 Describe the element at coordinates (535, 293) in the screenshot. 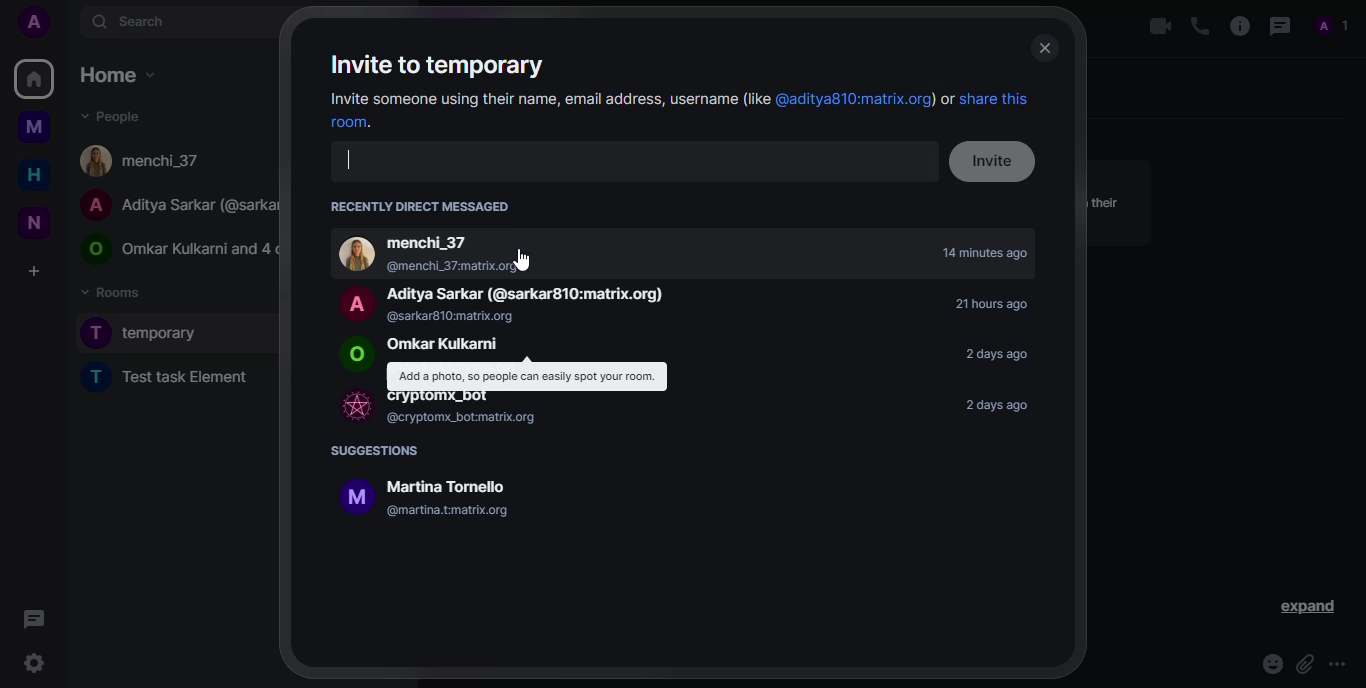

I see `Aditya Sarkar (@sarkar810:matrix.org)` at that location.